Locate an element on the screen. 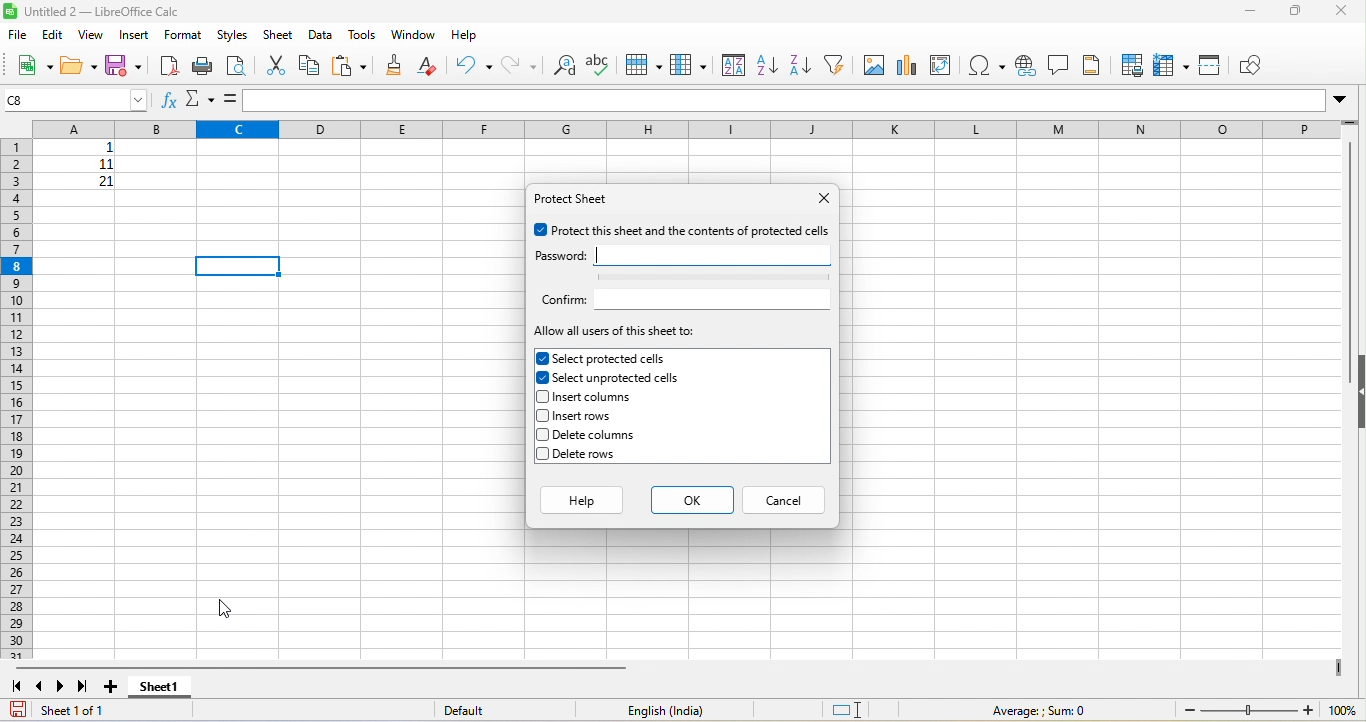 The width and height of the screenshot is (1366, 722). pivot table is located at coordinates (942, 64).